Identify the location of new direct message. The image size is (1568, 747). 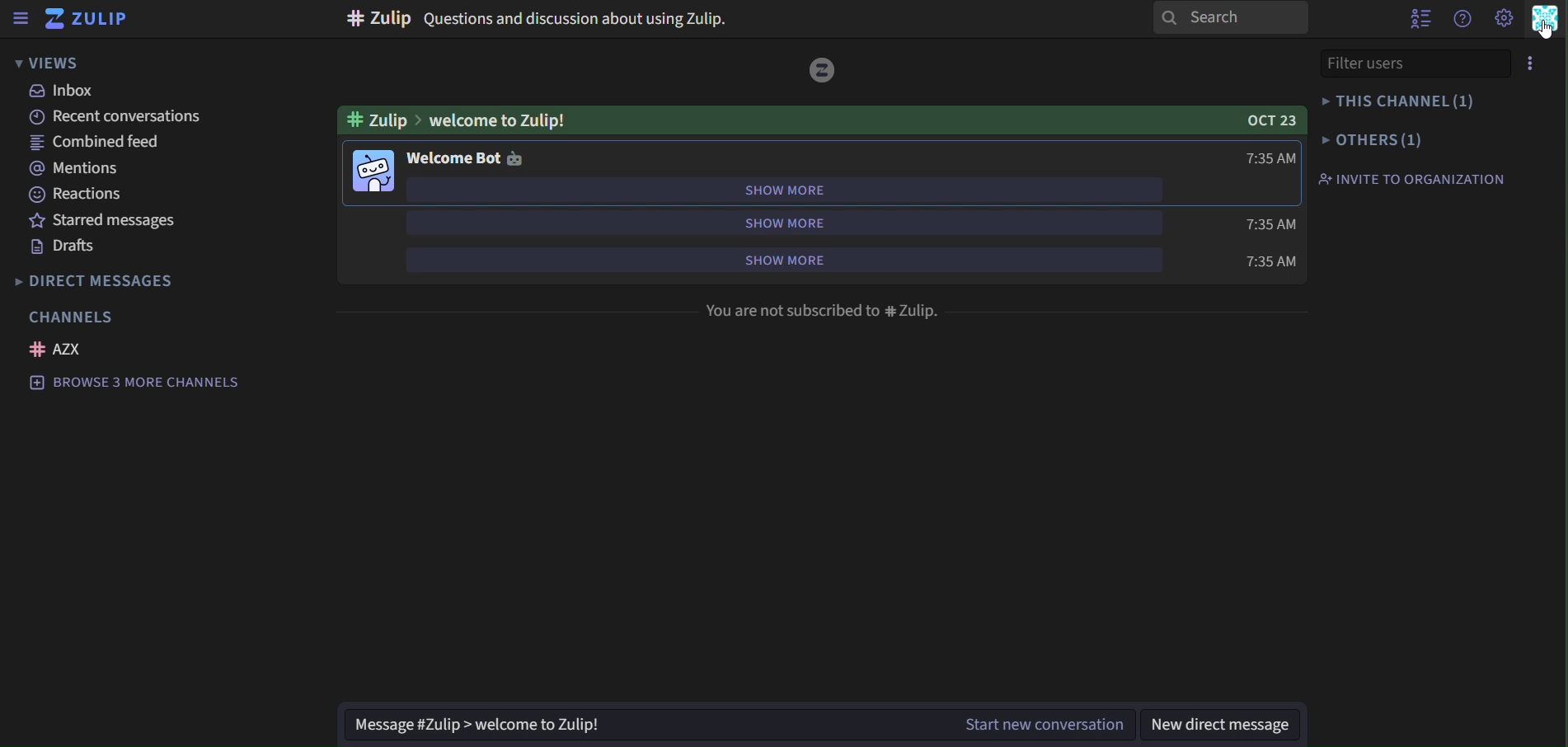
(1223, 725).